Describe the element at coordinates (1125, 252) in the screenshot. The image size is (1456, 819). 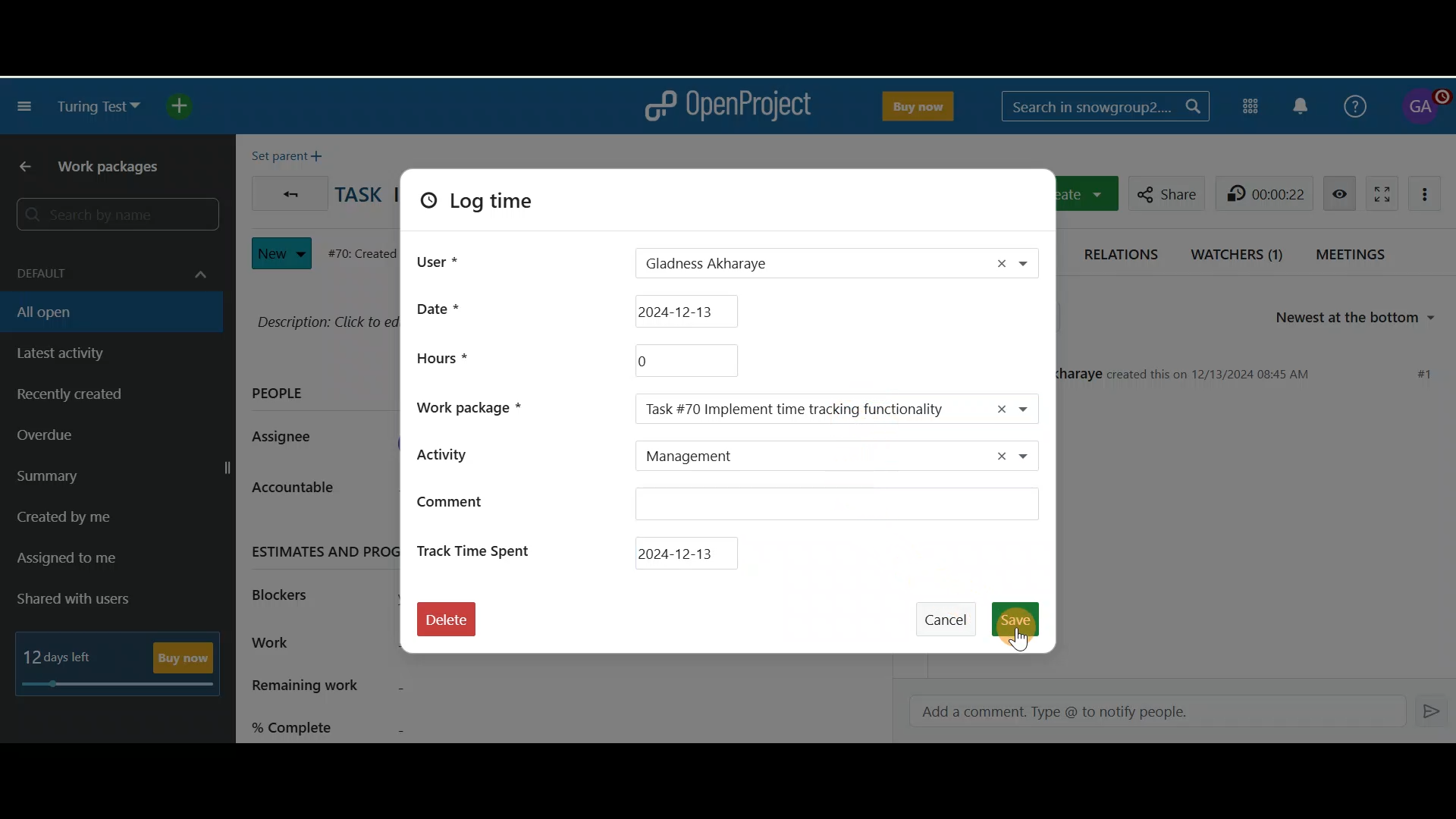
I see `Relations` at that location.